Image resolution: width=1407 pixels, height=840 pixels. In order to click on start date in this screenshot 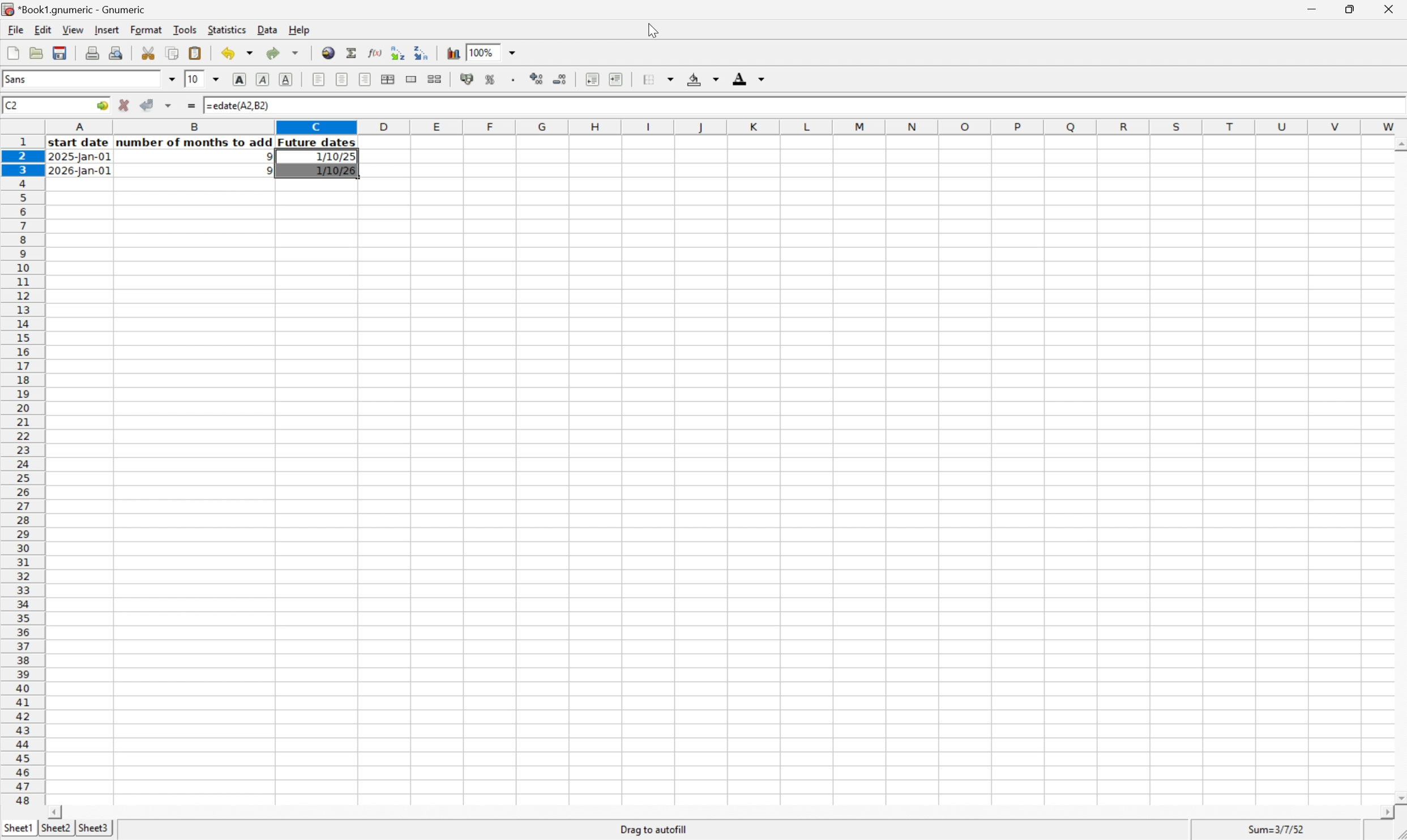, I will do `click(80, 143)`.